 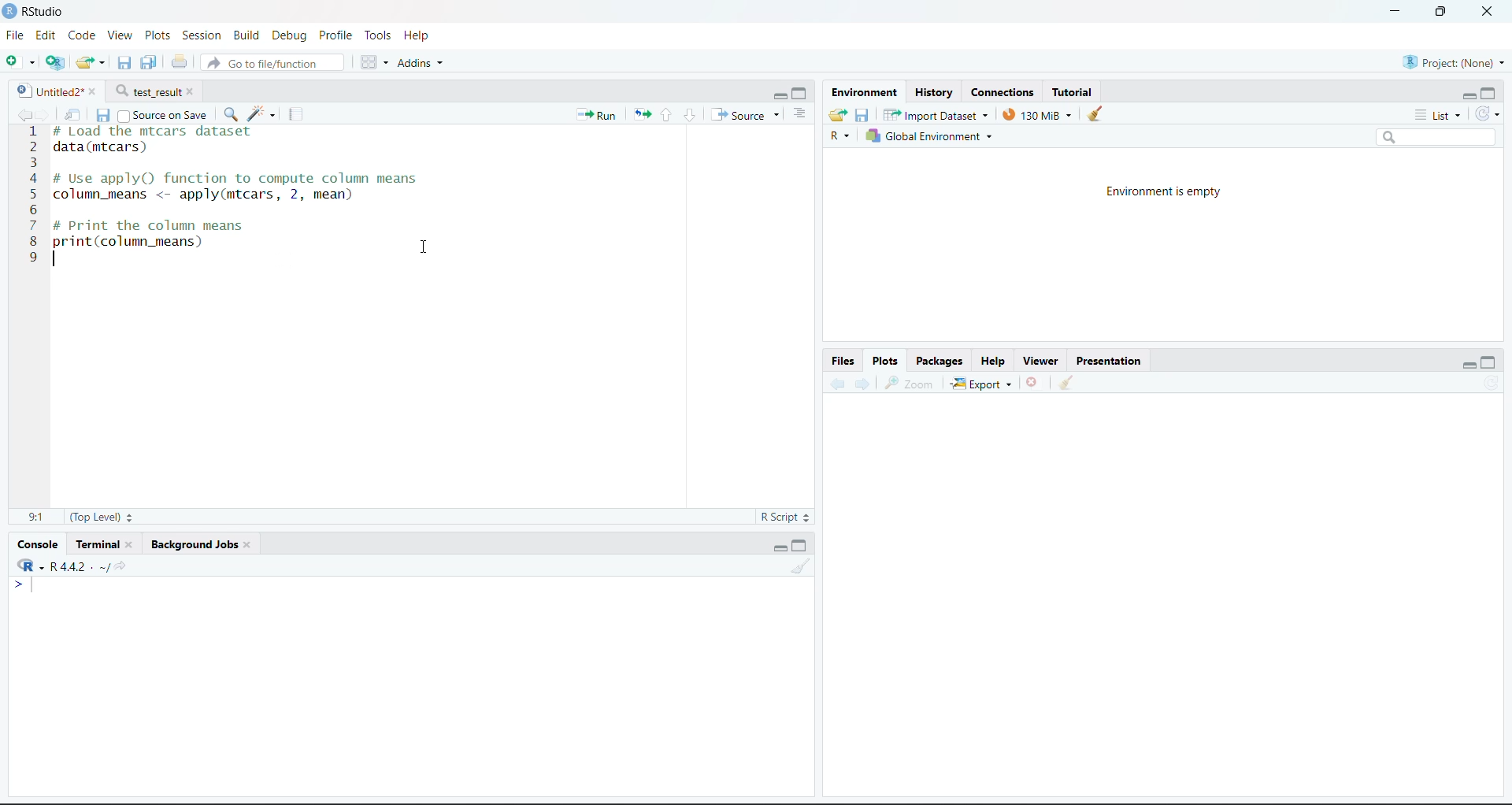 What do you see at coordinates (167, 114) in the screenshot?
I see `Source on Save` at bounding box center [167, 114].